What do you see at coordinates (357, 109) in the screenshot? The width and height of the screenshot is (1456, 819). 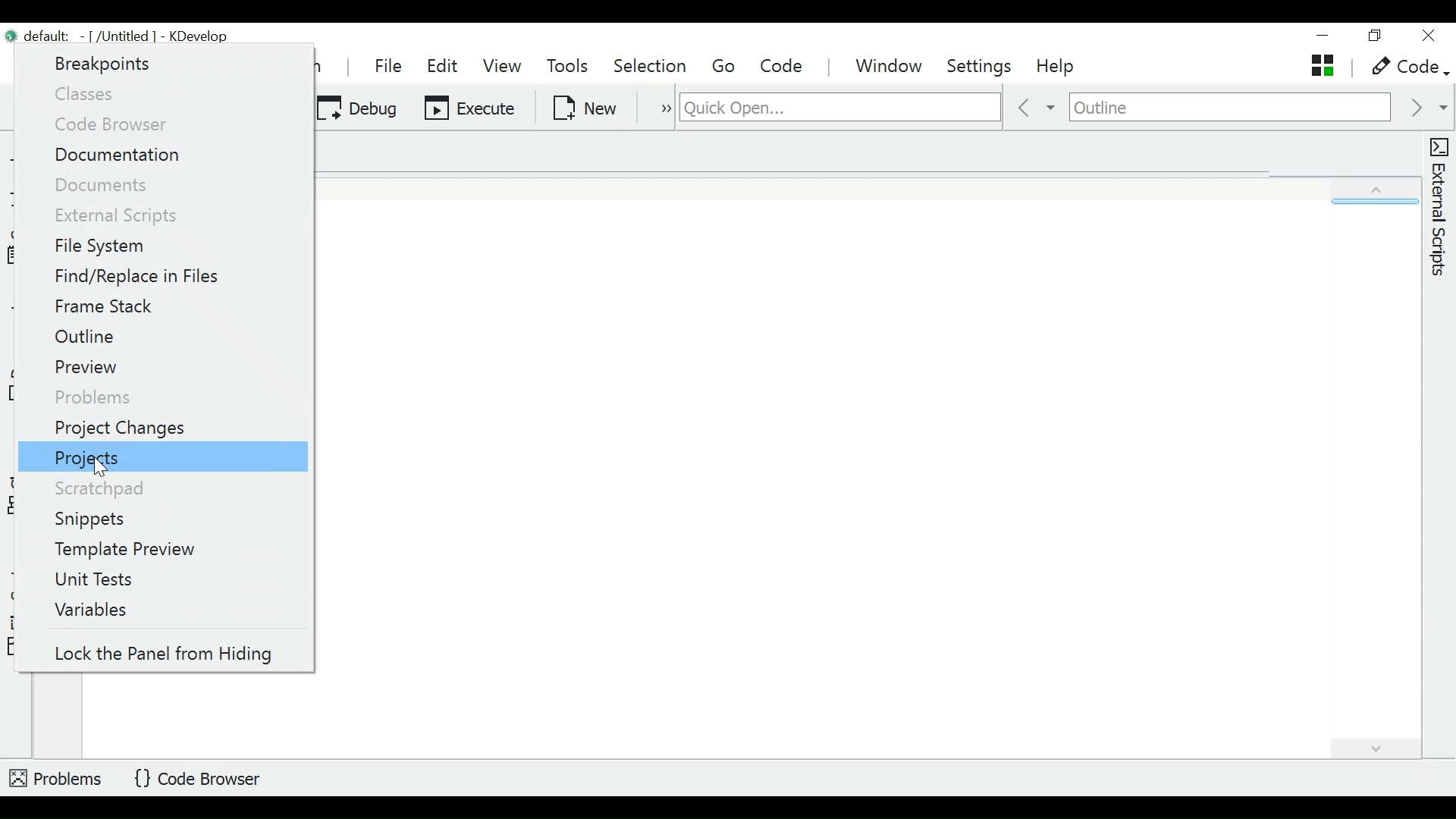 I see `Debug` at bounding box center [357, 109].